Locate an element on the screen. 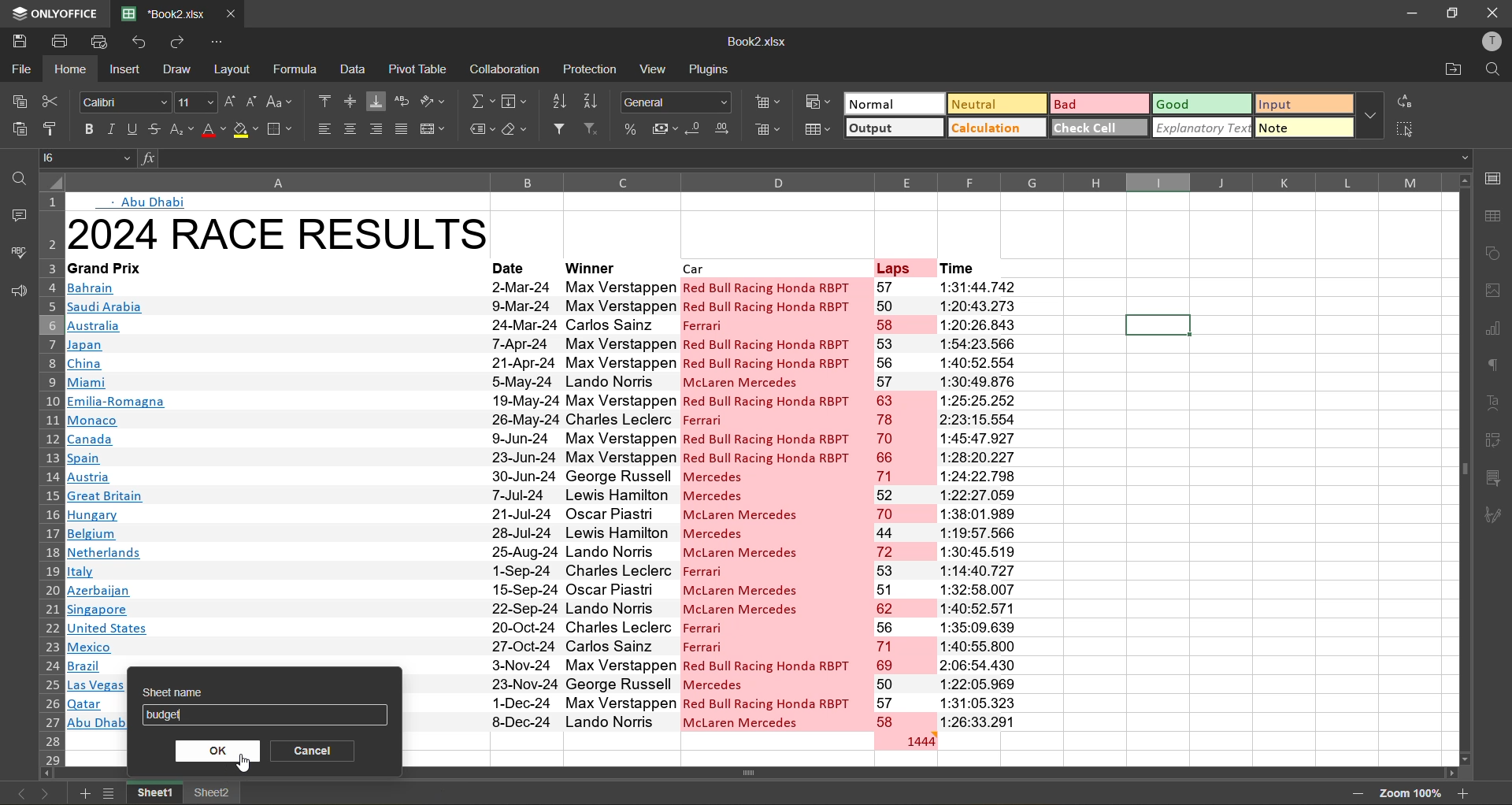 This screenshot has height=805, width=1512. zoom factor is located at coordinates (1409, 793).